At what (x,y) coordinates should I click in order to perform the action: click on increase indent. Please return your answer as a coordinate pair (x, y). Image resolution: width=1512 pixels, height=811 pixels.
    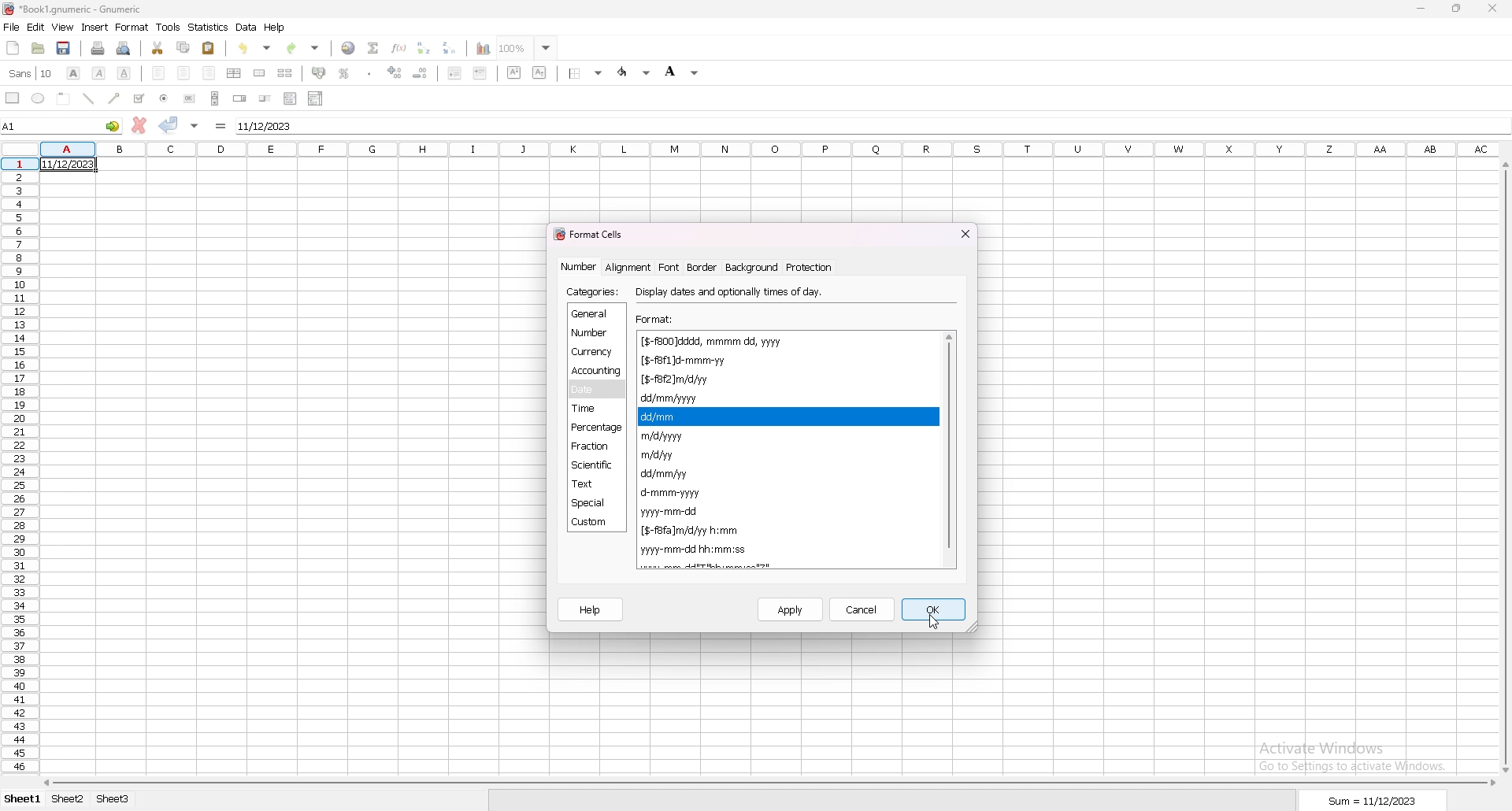
    Looking at the image, I should click on (395, 72).